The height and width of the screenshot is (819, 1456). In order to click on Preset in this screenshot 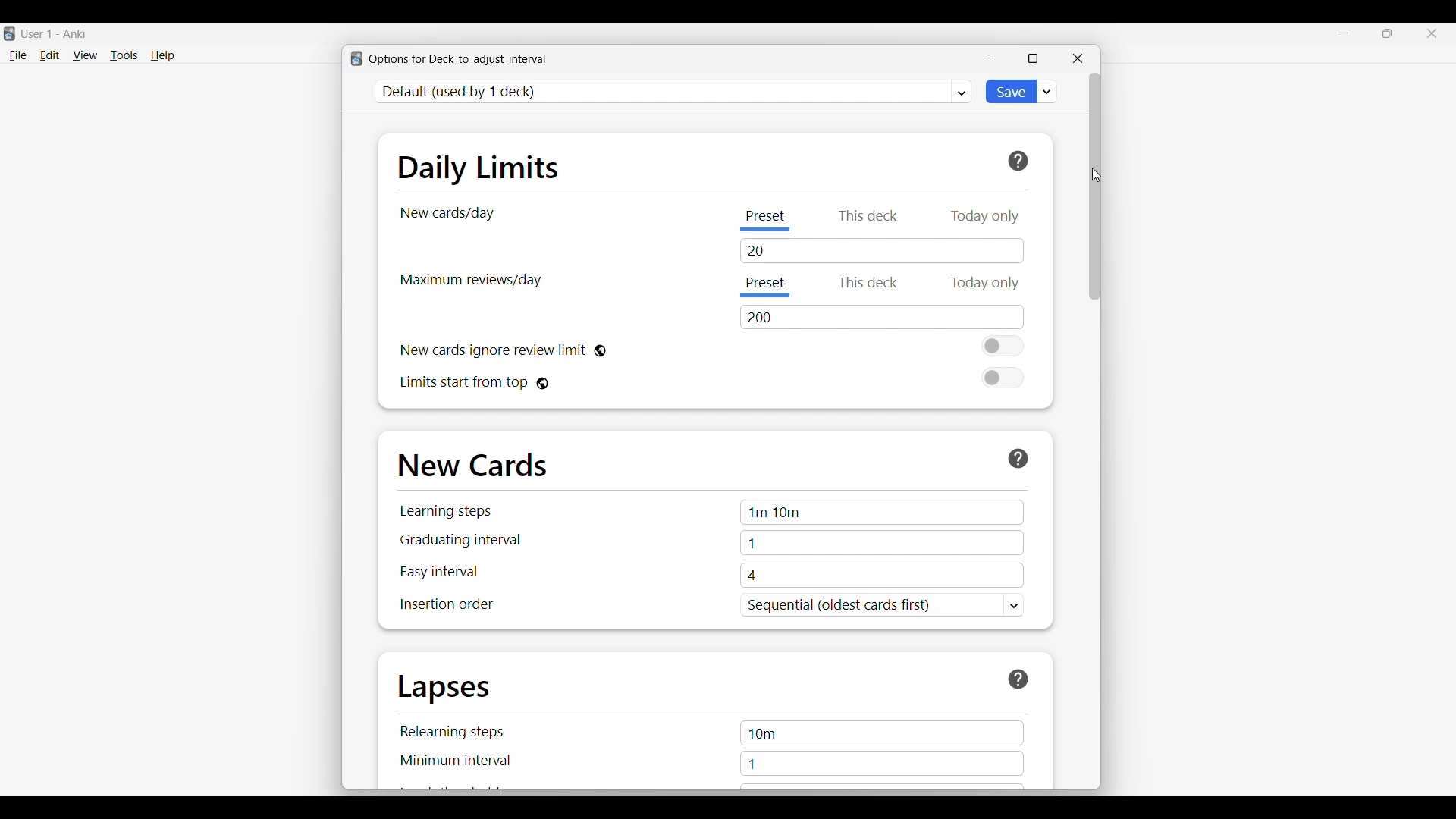, I will do `click(767, 287)`.